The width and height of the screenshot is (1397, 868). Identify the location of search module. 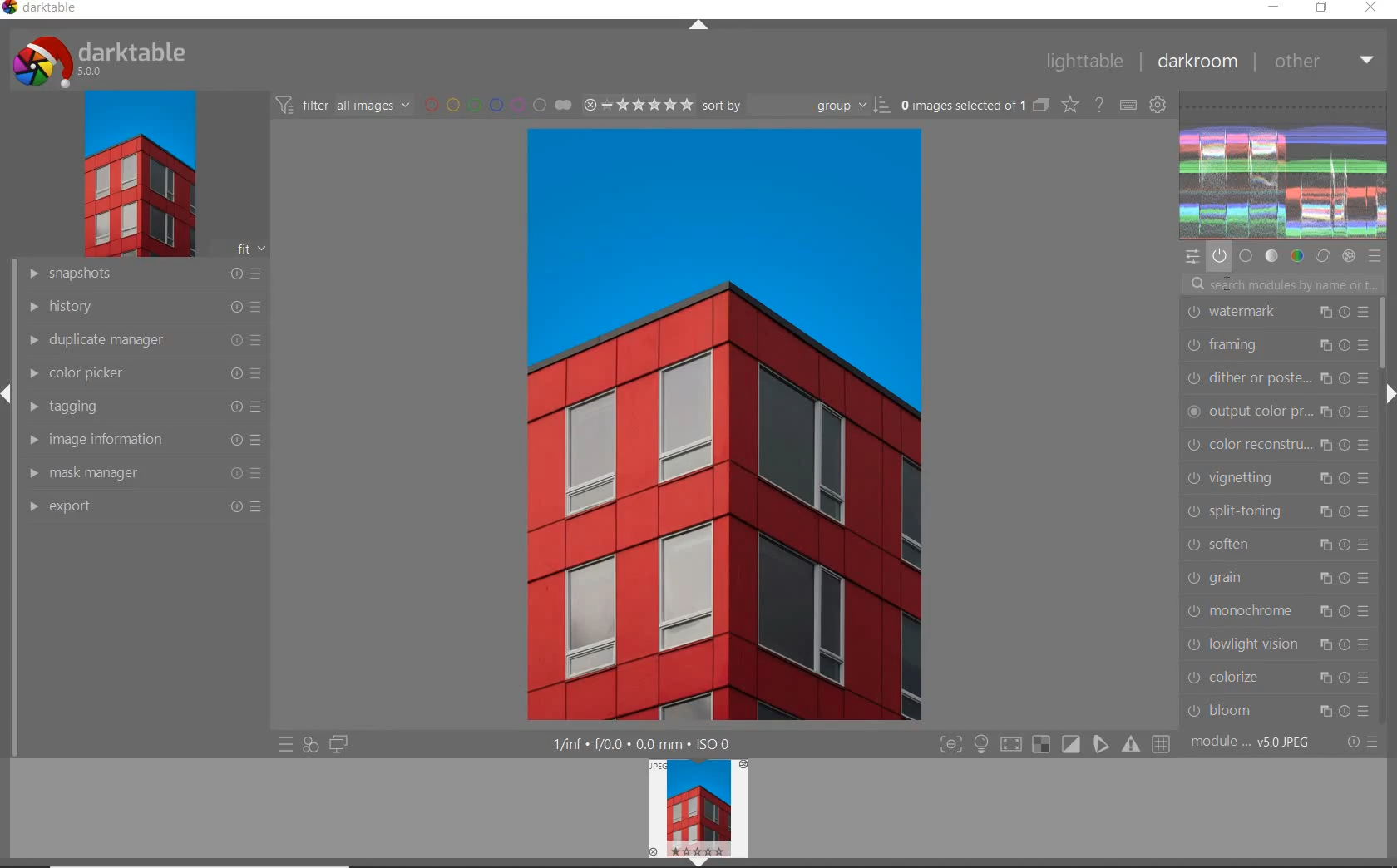
(1286, 283).